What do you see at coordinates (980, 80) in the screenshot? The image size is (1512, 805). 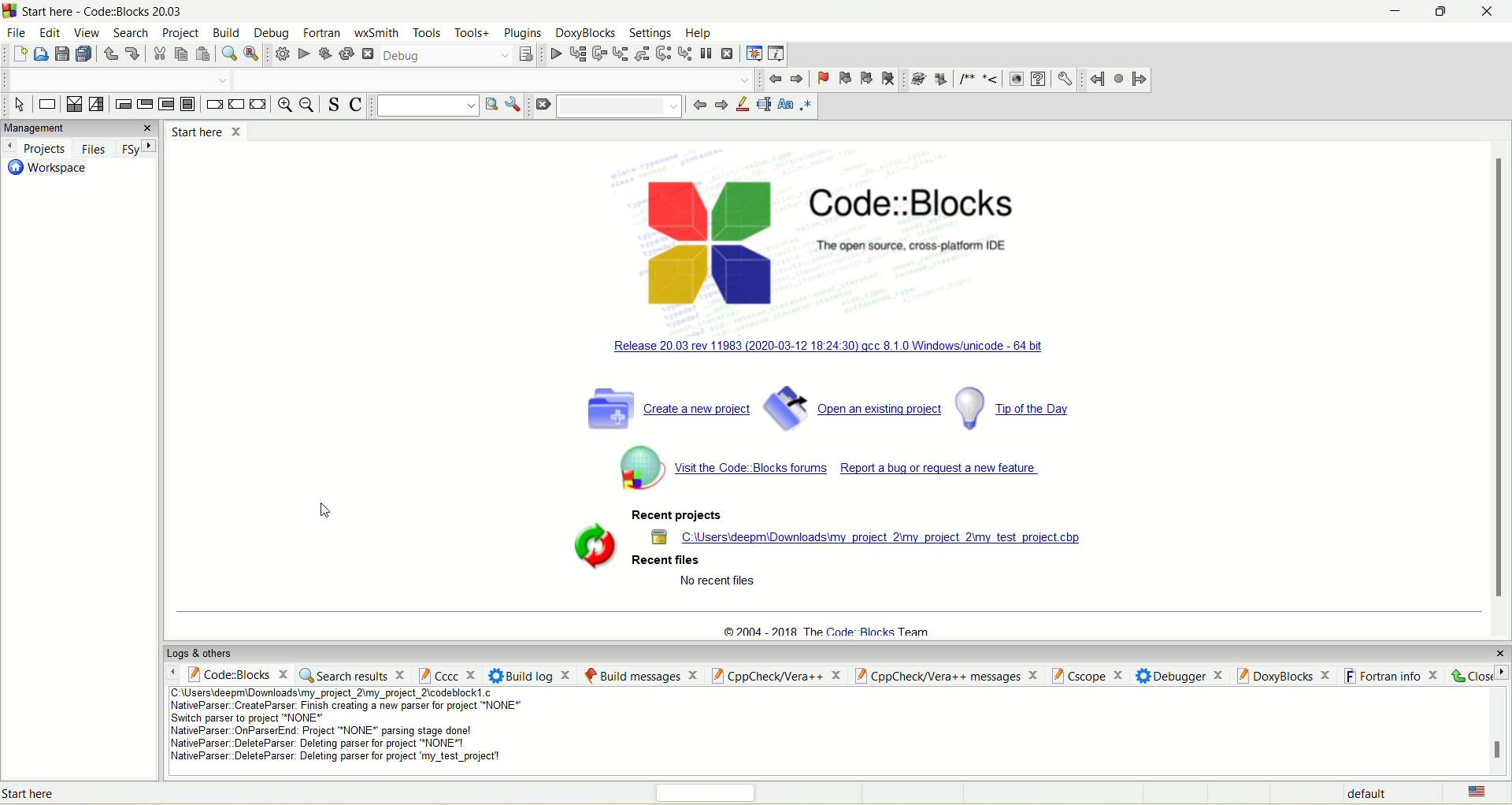 I see `comments` at bounding box center [980, 80].